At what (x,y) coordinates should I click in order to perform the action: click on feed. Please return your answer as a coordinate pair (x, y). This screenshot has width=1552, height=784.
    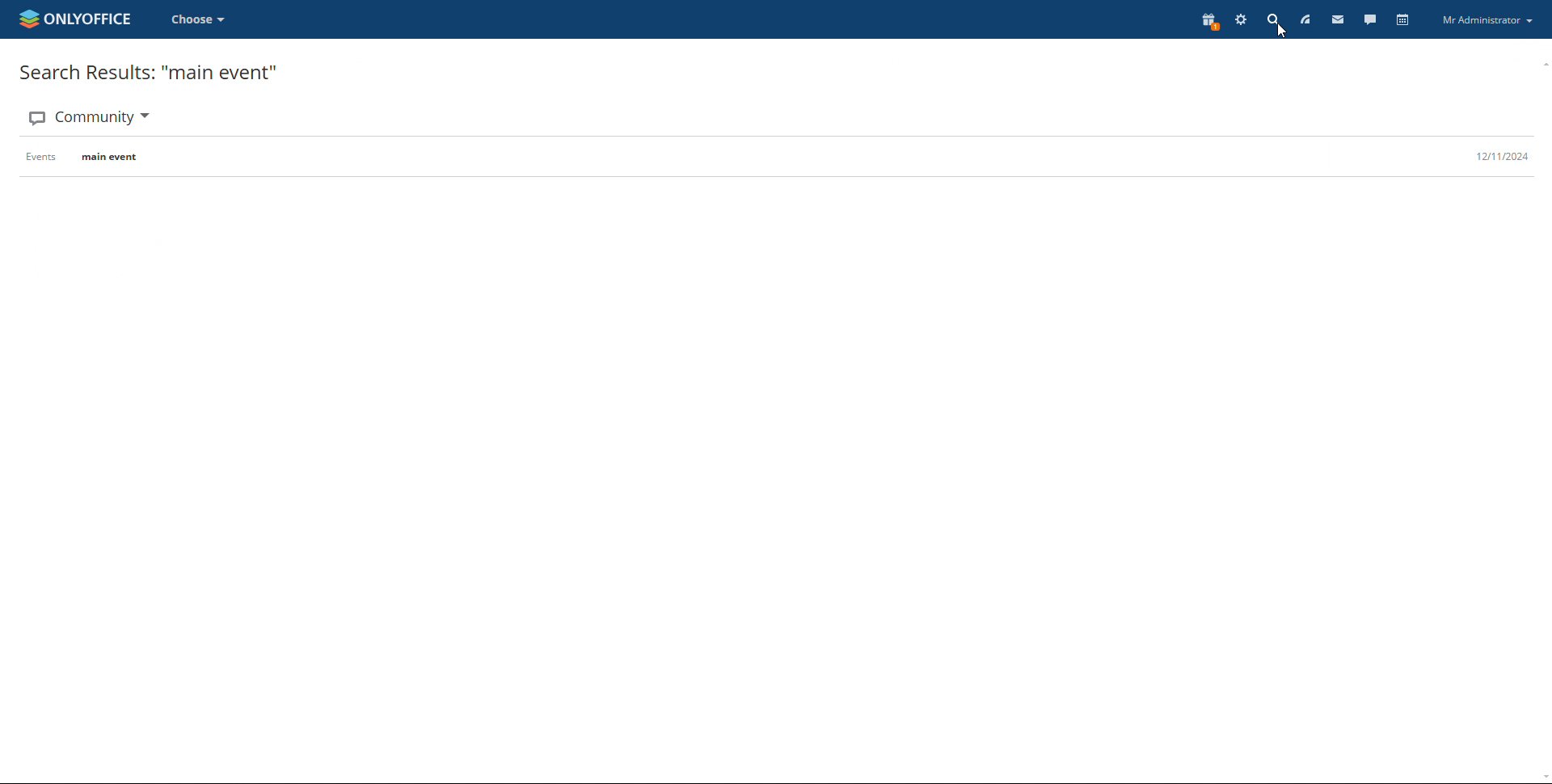
    Looking at the image, I should click on (1305, 20).